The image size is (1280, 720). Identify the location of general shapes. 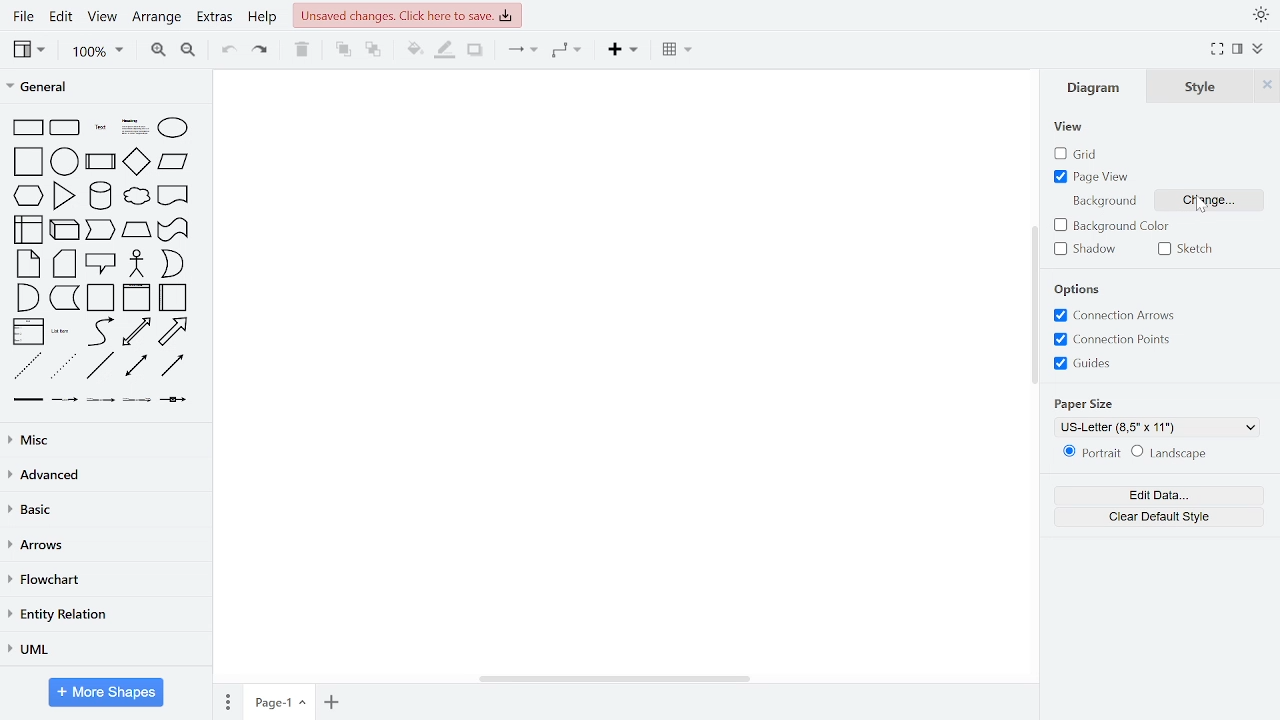
(62, 332).